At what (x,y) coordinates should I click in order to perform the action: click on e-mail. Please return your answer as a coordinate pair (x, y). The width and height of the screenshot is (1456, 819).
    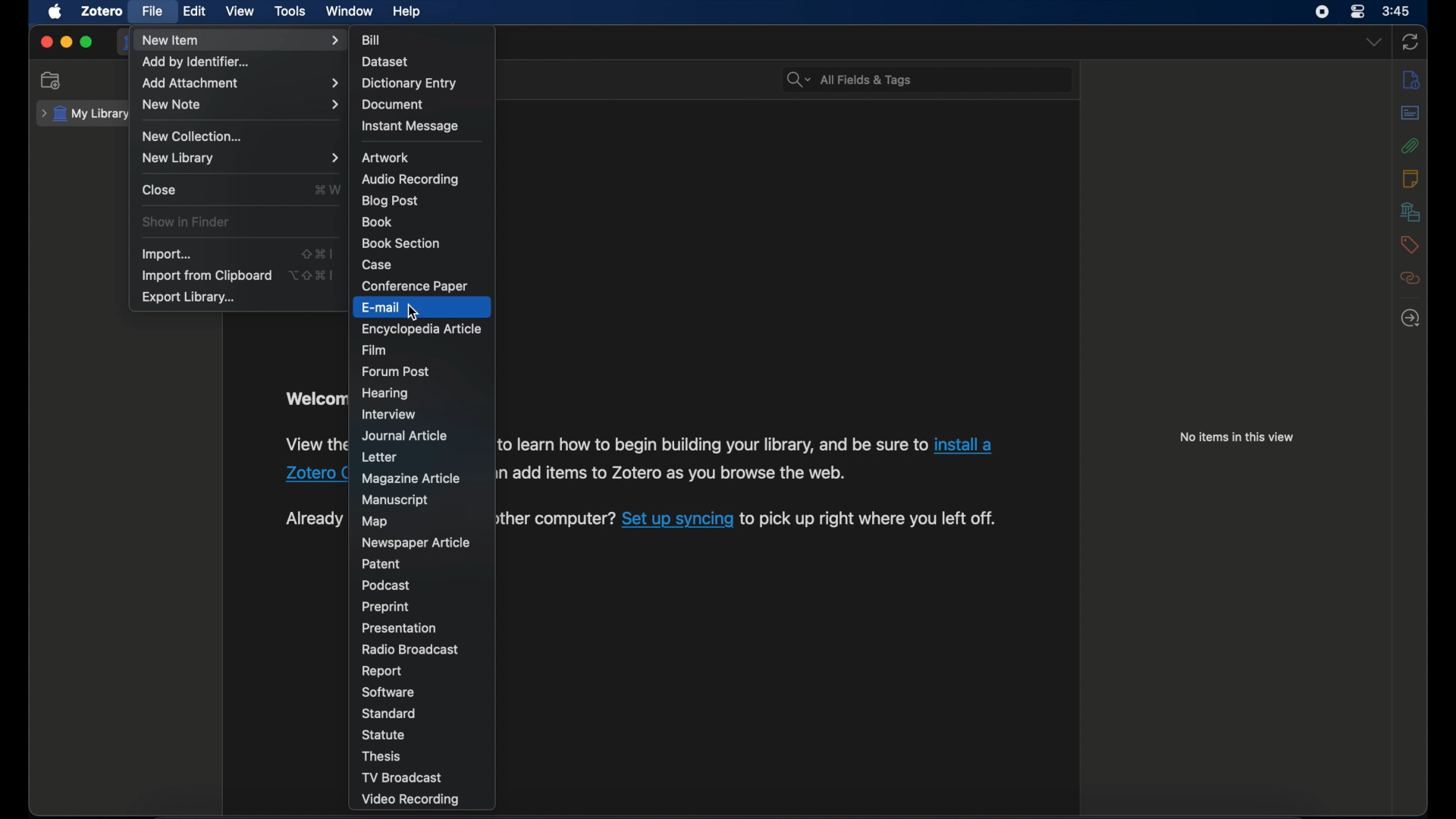
    Looking at the image, I should click on (384, 306).